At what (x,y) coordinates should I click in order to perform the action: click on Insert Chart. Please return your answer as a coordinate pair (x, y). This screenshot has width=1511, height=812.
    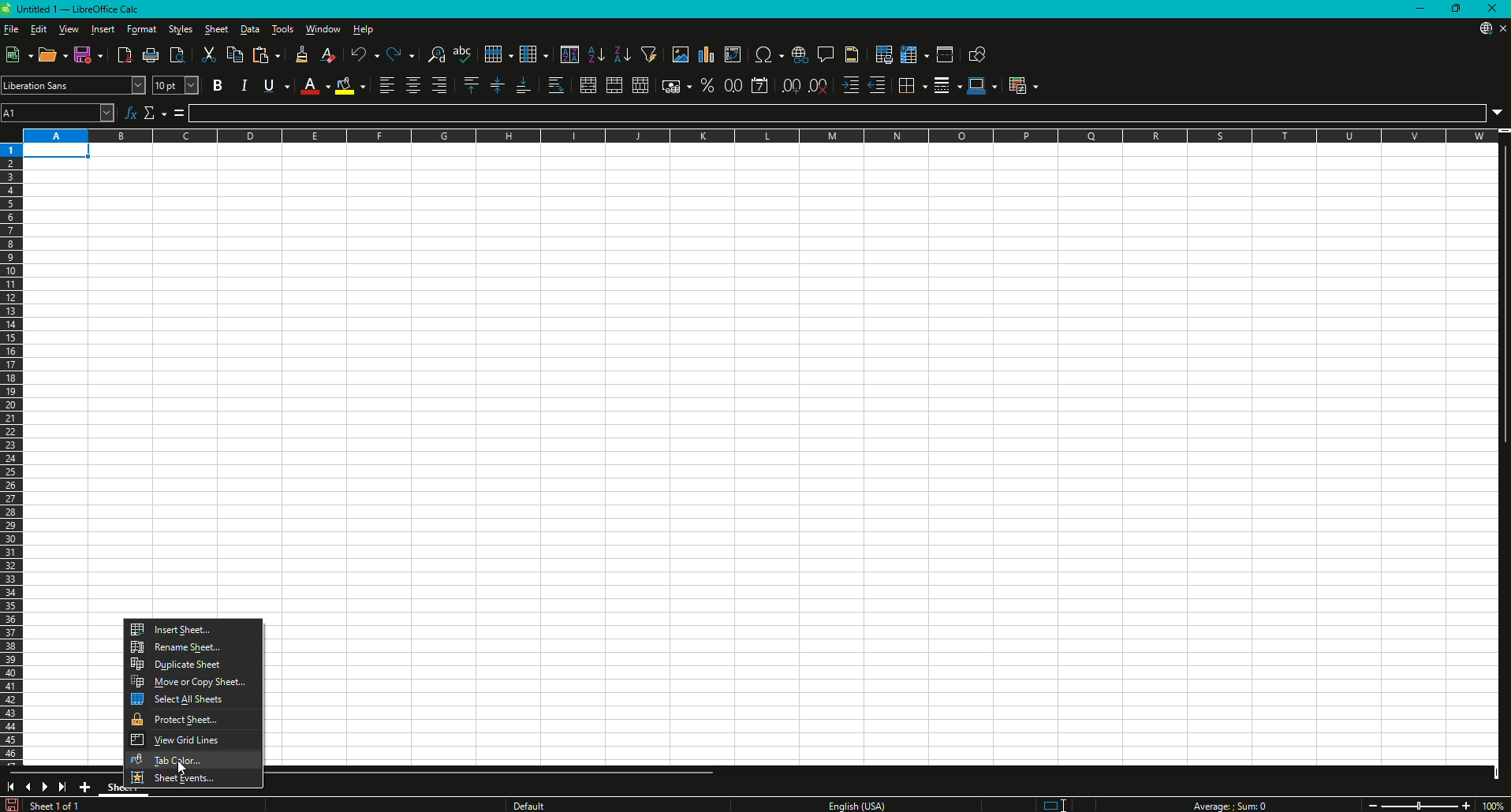
    Looking at the image, I should click on (707, 54).